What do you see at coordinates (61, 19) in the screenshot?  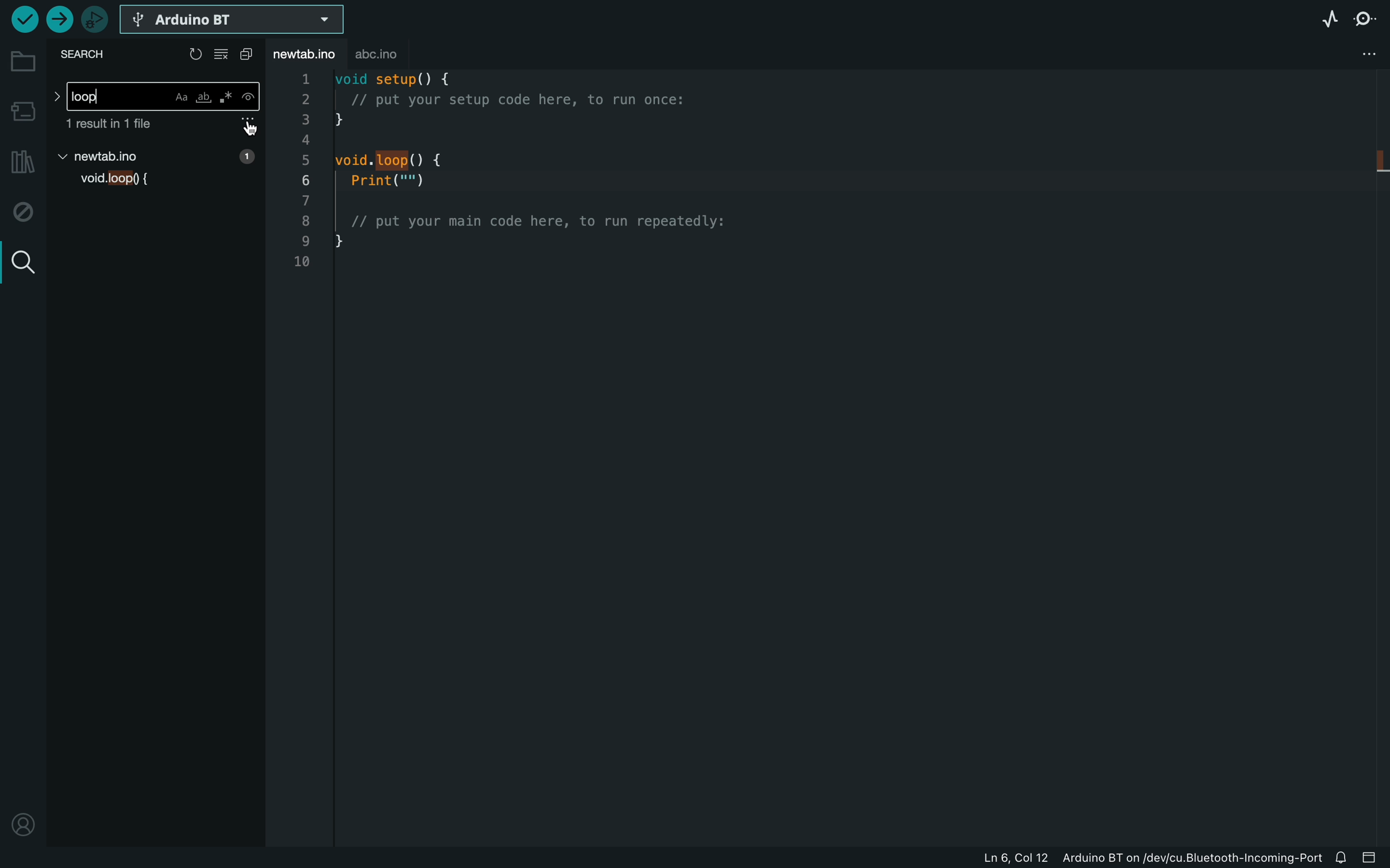 I see `upload` at bounding box center [61, 19].